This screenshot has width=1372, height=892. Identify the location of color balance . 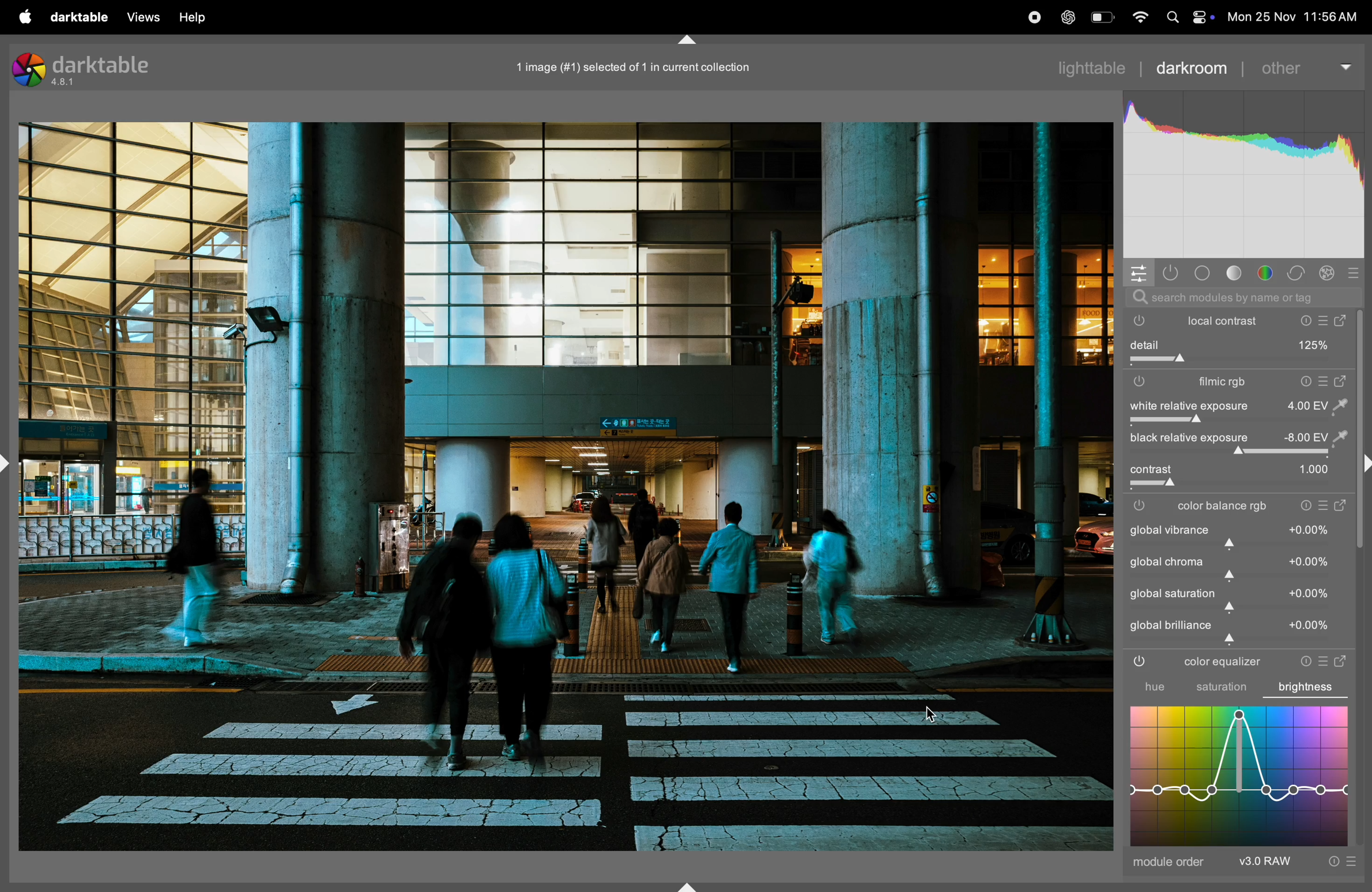
(1226, 507).